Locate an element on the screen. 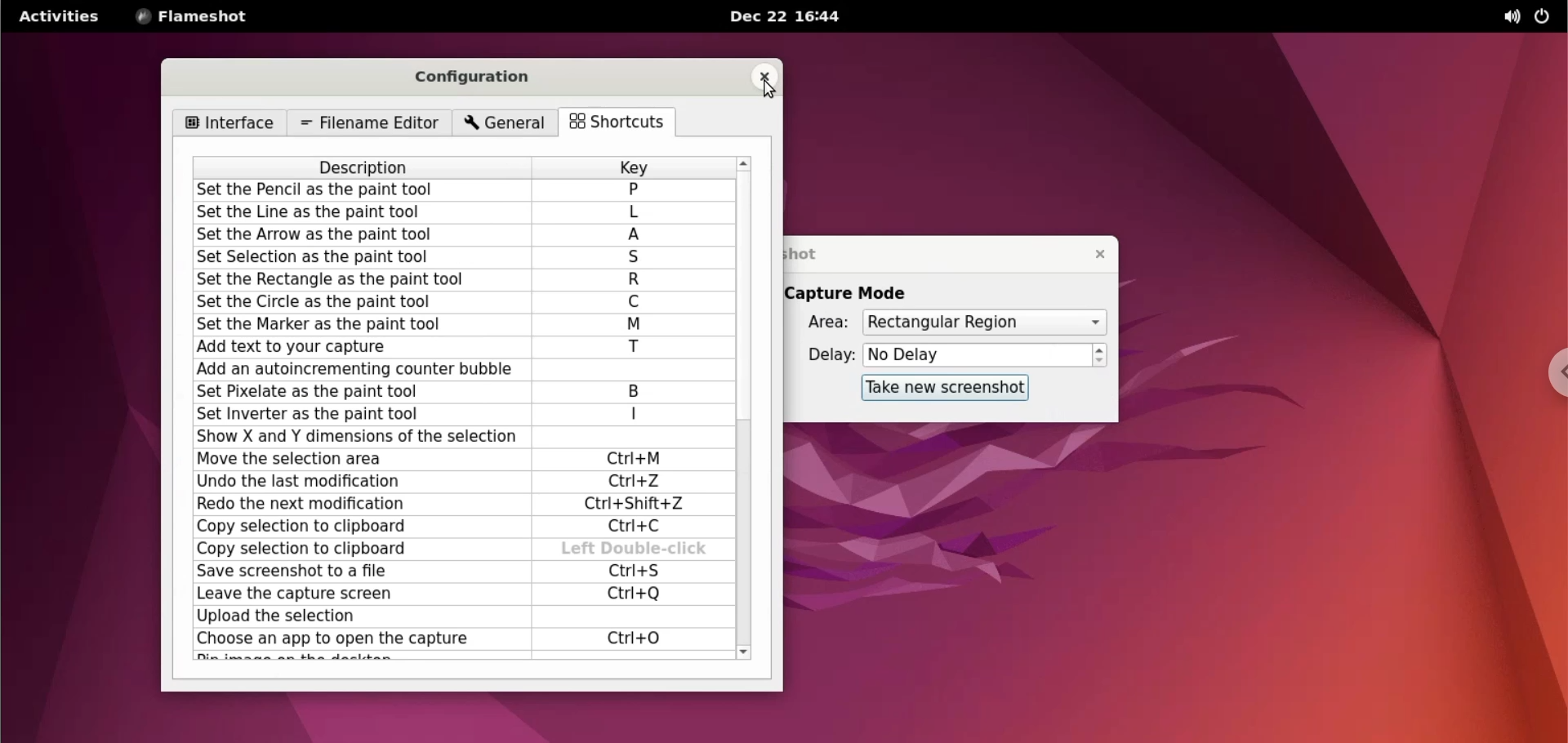  set pixelate as the paint tool is located at coordinates (351, 392).